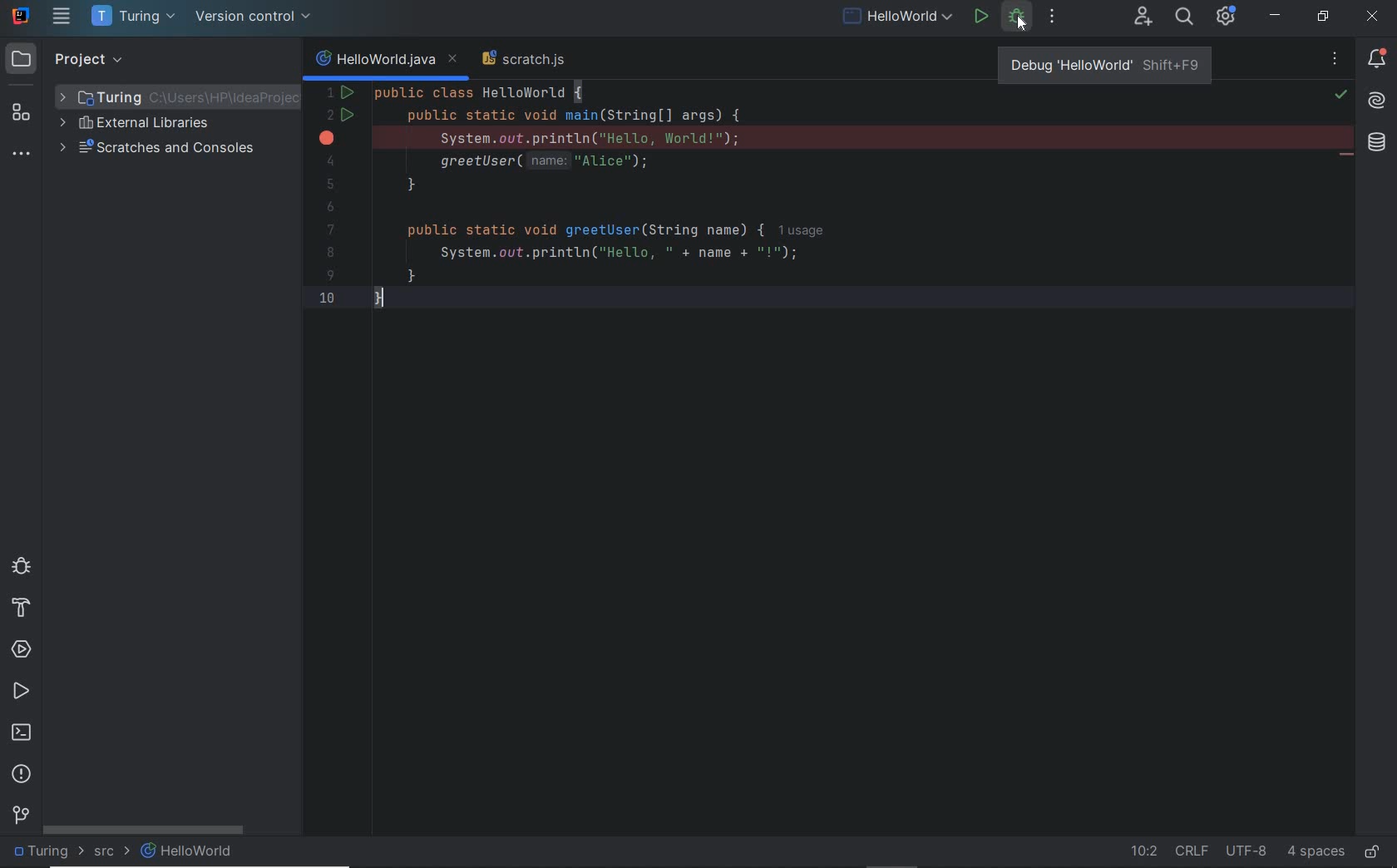 Image resolution: width=1397 pixels, height=868 pixels. I want to click on close, so click(1375, 18).